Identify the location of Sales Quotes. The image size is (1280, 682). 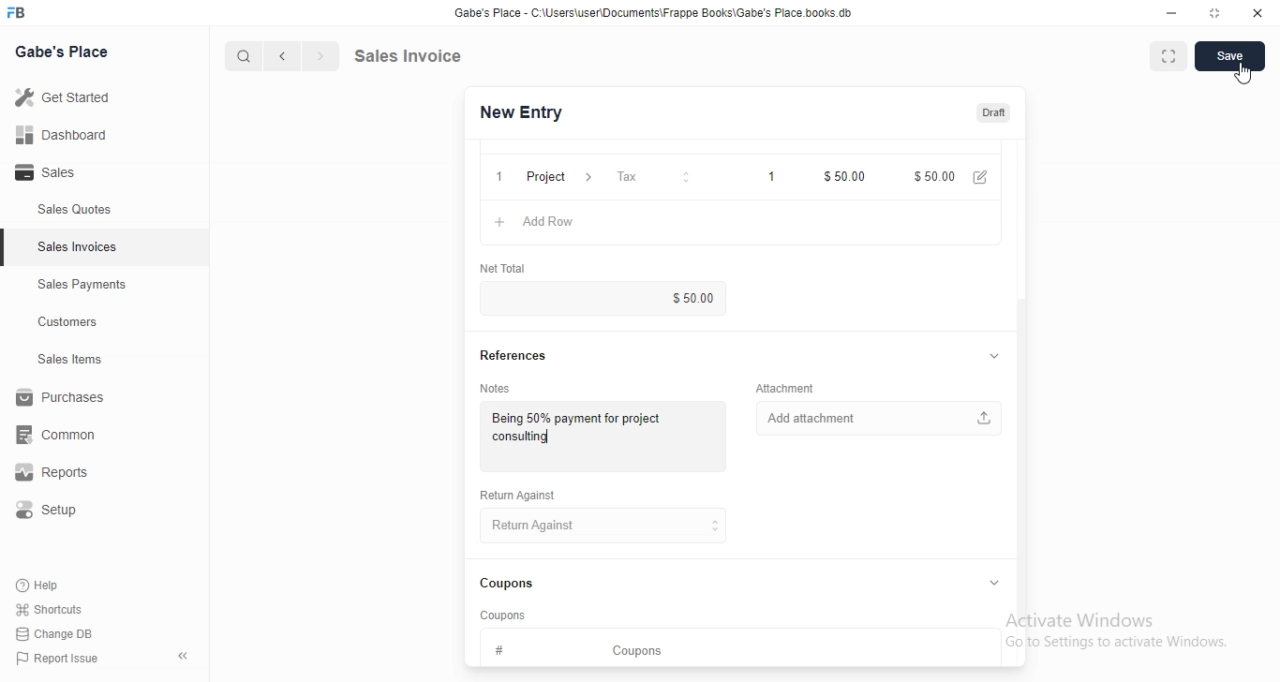
(64, 210).